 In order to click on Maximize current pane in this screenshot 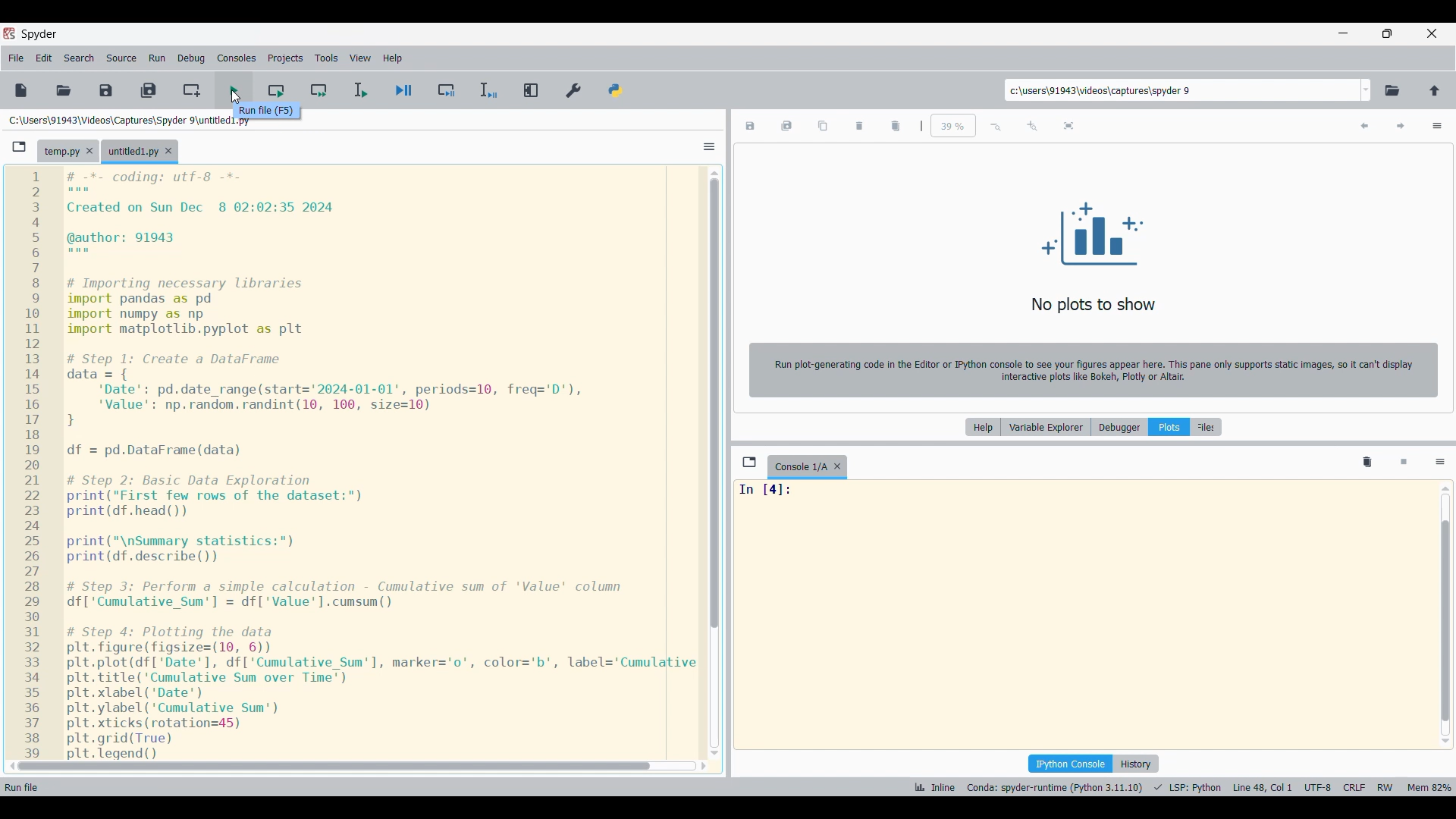, I will do `click(530, 90)`.